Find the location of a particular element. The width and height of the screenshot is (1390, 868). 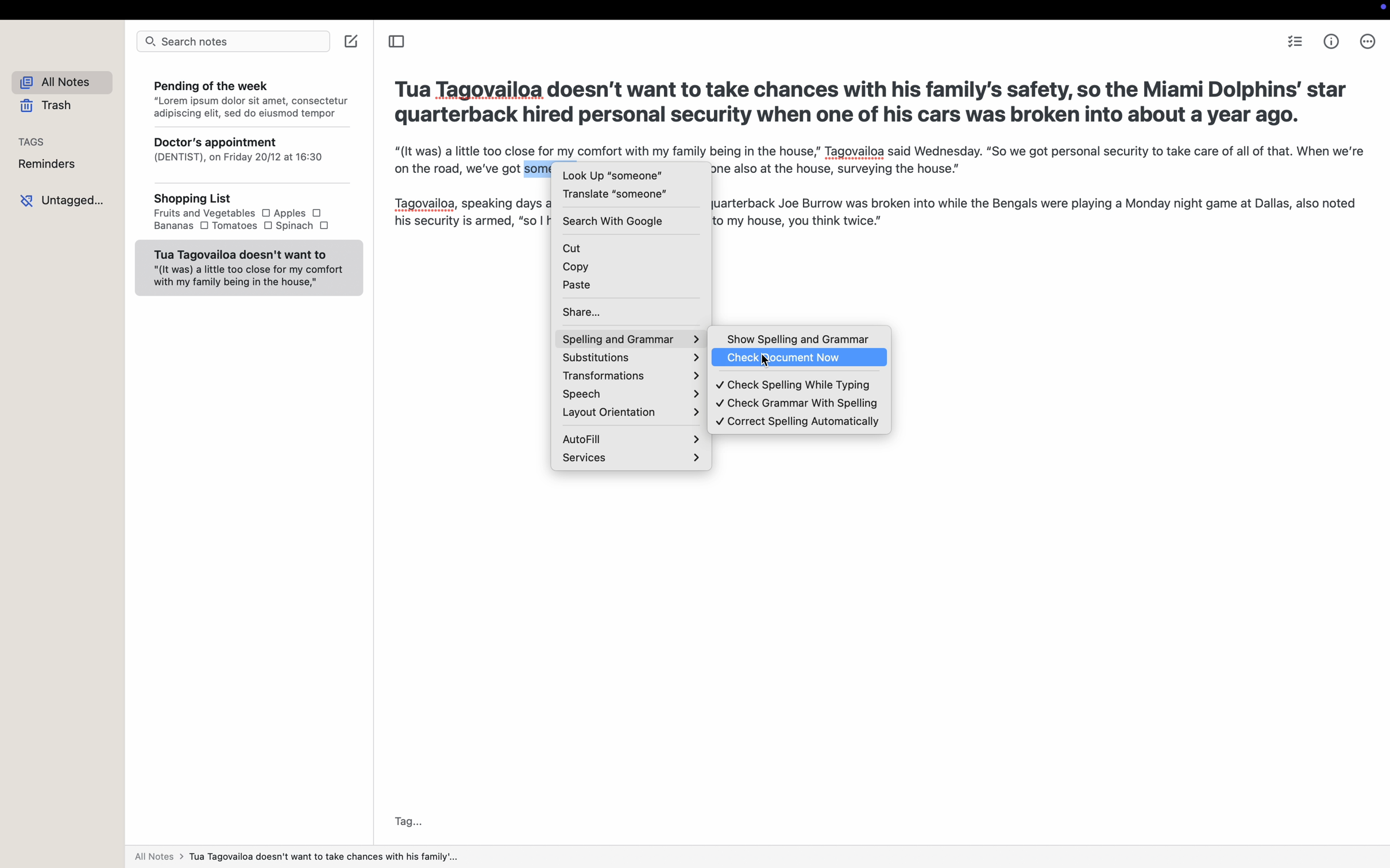

Tua Tagovailoa doesn’t want to take chances with his family's safety, so the Miami Dolphins’ star
quarterback hired personal security when one of his cars was broken into about a year ago. is located at coordinates (873, 100).